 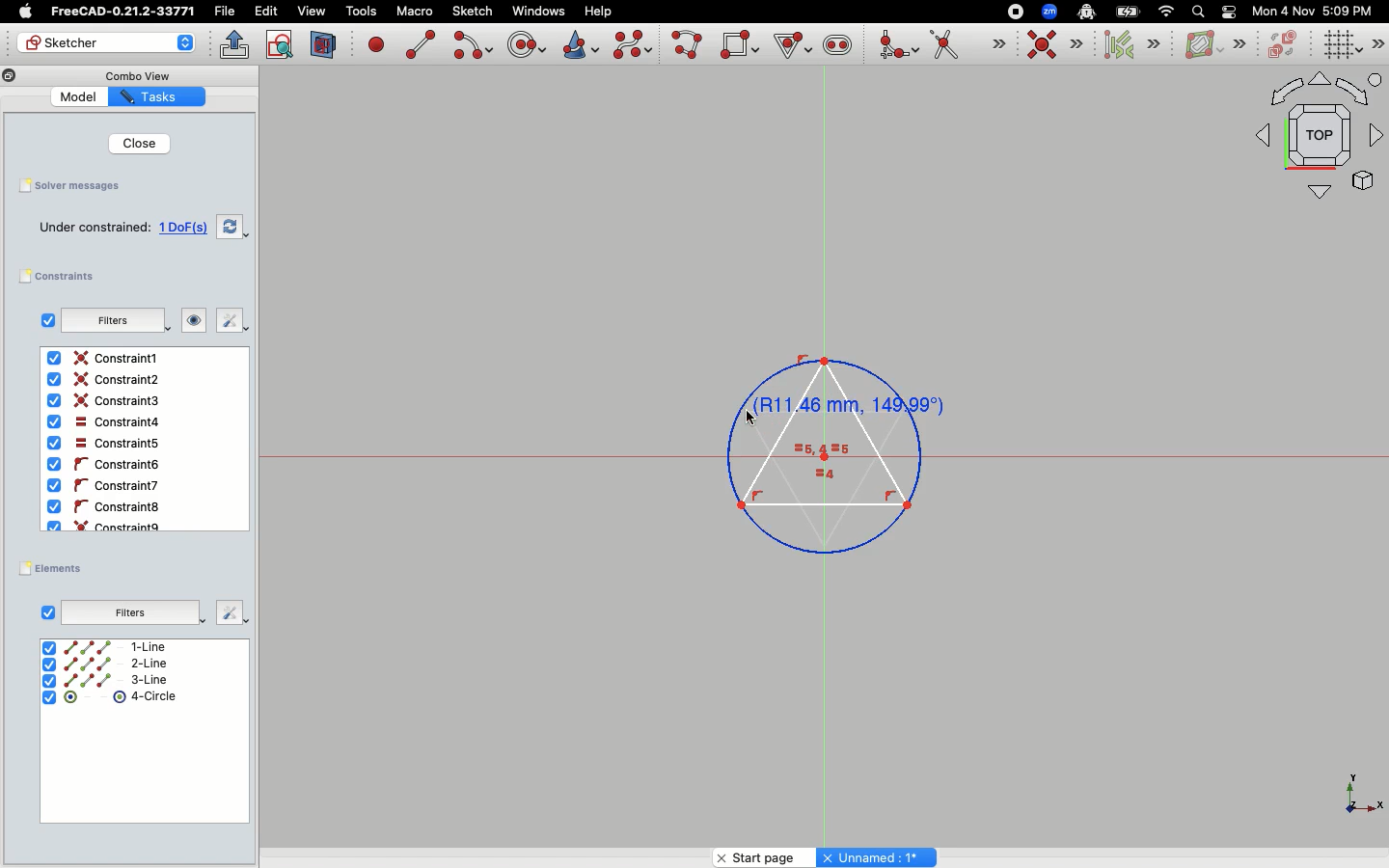 What do you see at coordinates (231, 611) in the screenshot?
I see `Fix` at bounding box center [231, 611].